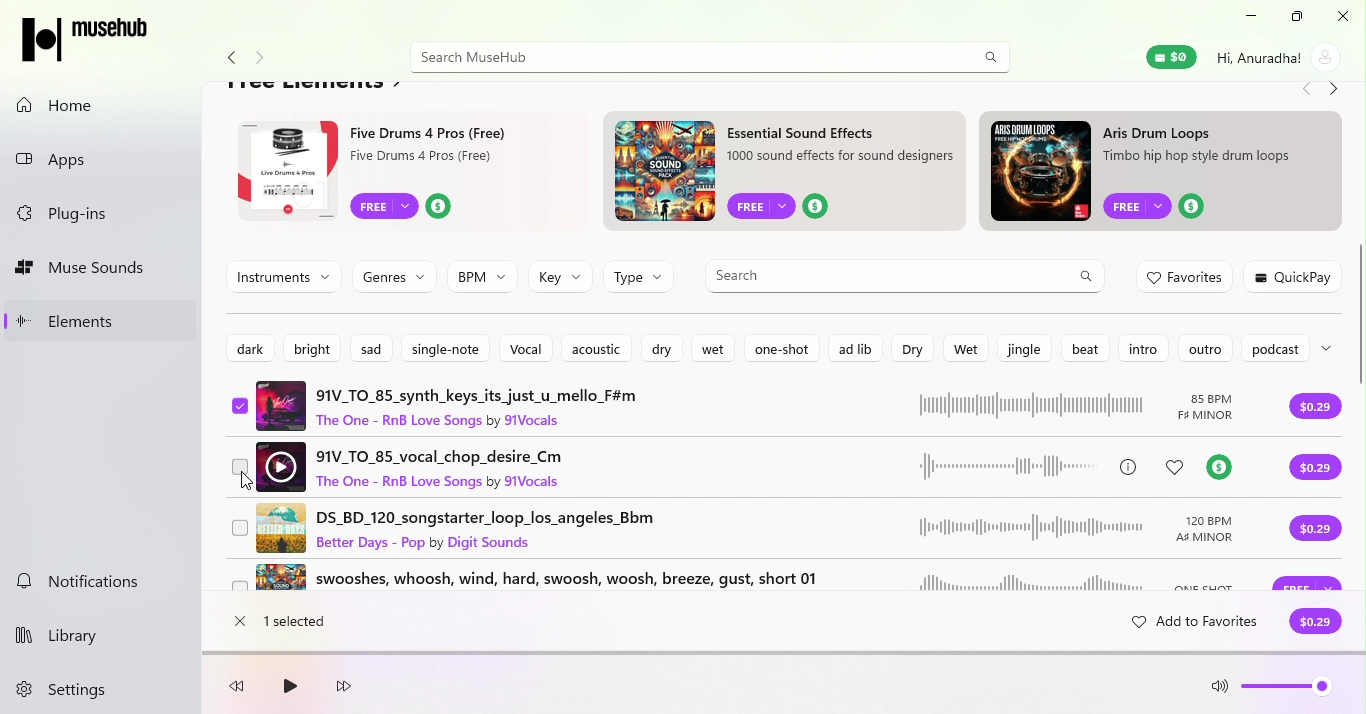 This screenshot has width=1366, height=714. Describe the element at coordinates (1187, 278) in the screenshot. I see `Favorites` at that location.